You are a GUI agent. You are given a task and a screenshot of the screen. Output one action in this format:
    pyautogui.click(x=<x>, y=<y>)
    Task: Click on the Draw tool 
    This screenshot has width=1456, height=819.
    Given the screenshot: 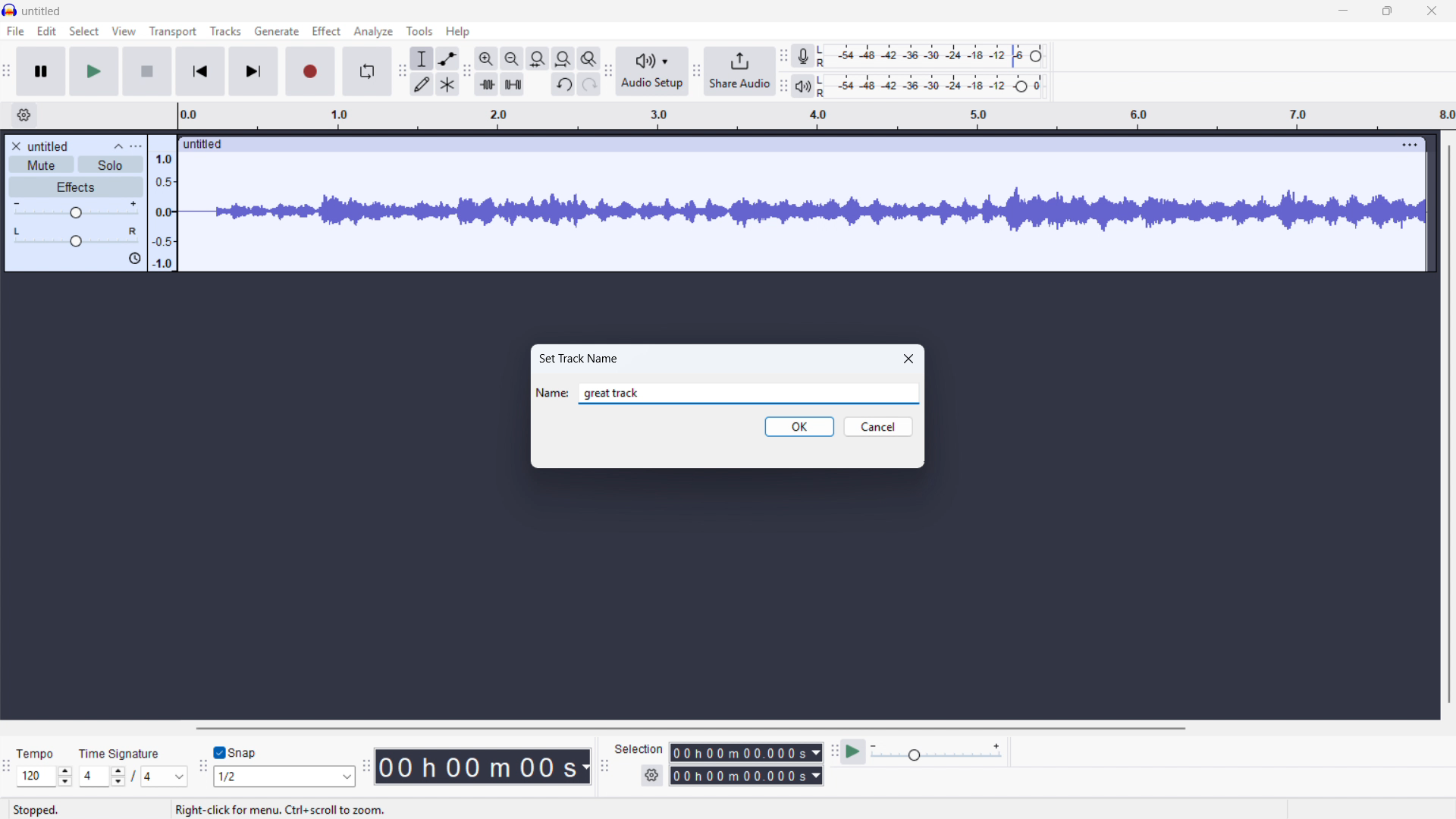 What is the action you would take?
    pyautogui.click(x=422, y=84)
    